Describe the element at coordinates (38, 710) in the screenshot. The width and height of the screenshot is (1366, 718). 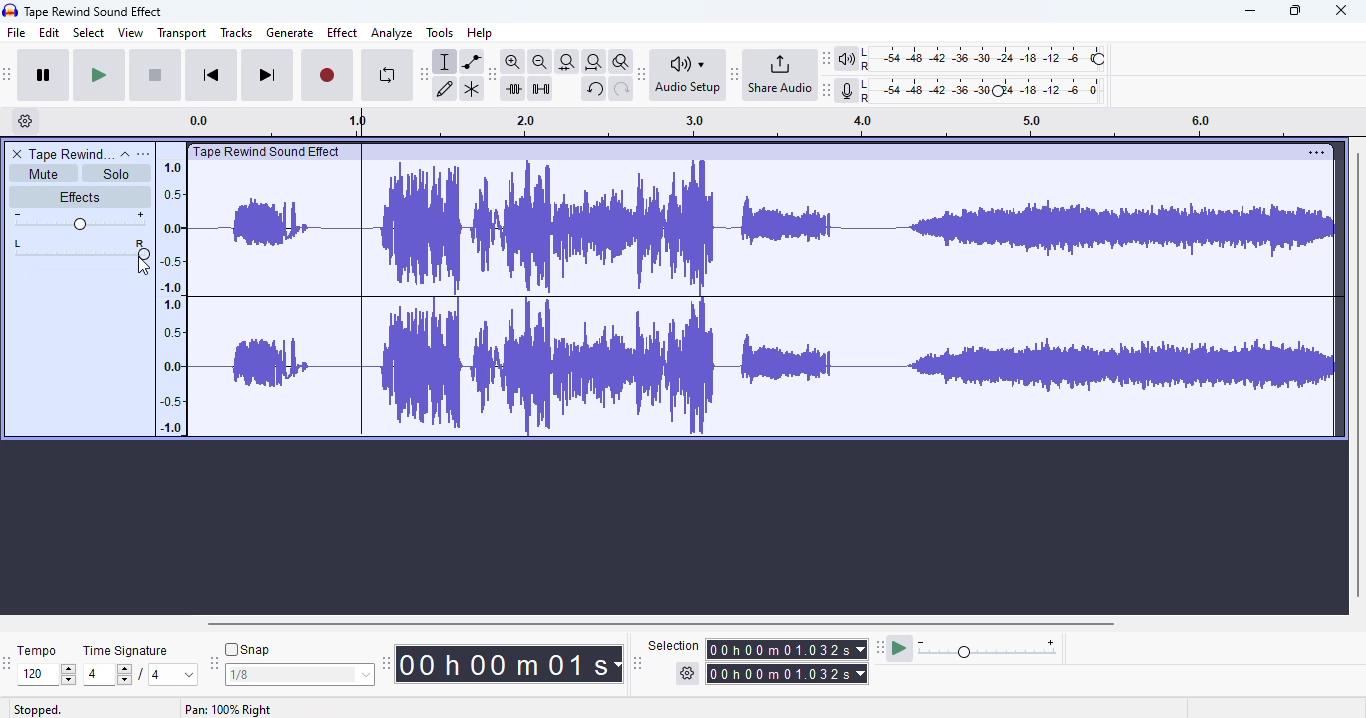
I see `stopped` at that location.